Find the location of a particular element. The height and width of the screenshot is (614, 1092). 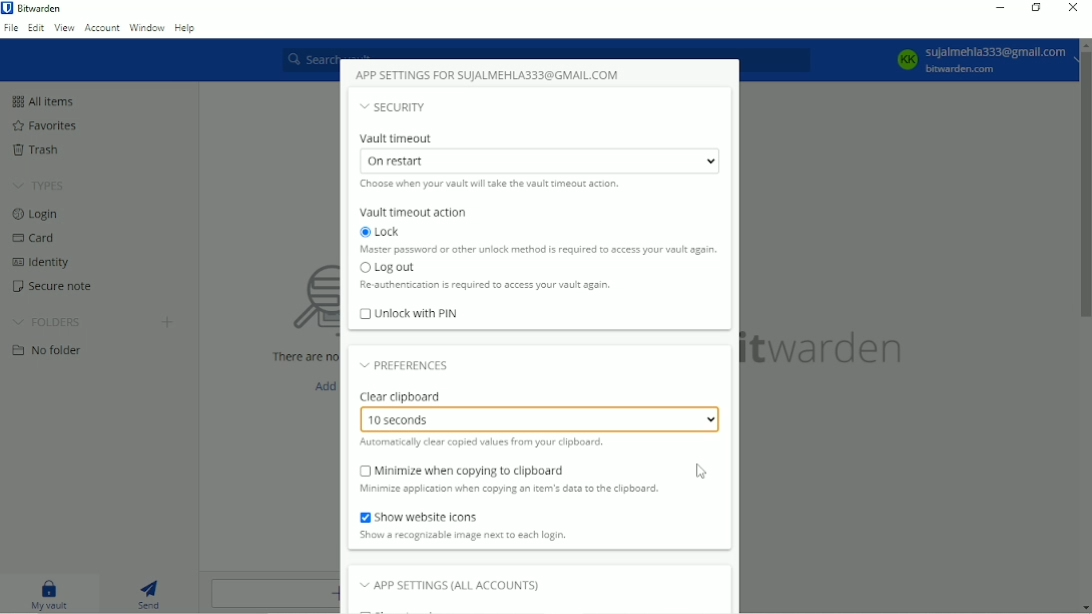

View is located at coordinates (65, 27).